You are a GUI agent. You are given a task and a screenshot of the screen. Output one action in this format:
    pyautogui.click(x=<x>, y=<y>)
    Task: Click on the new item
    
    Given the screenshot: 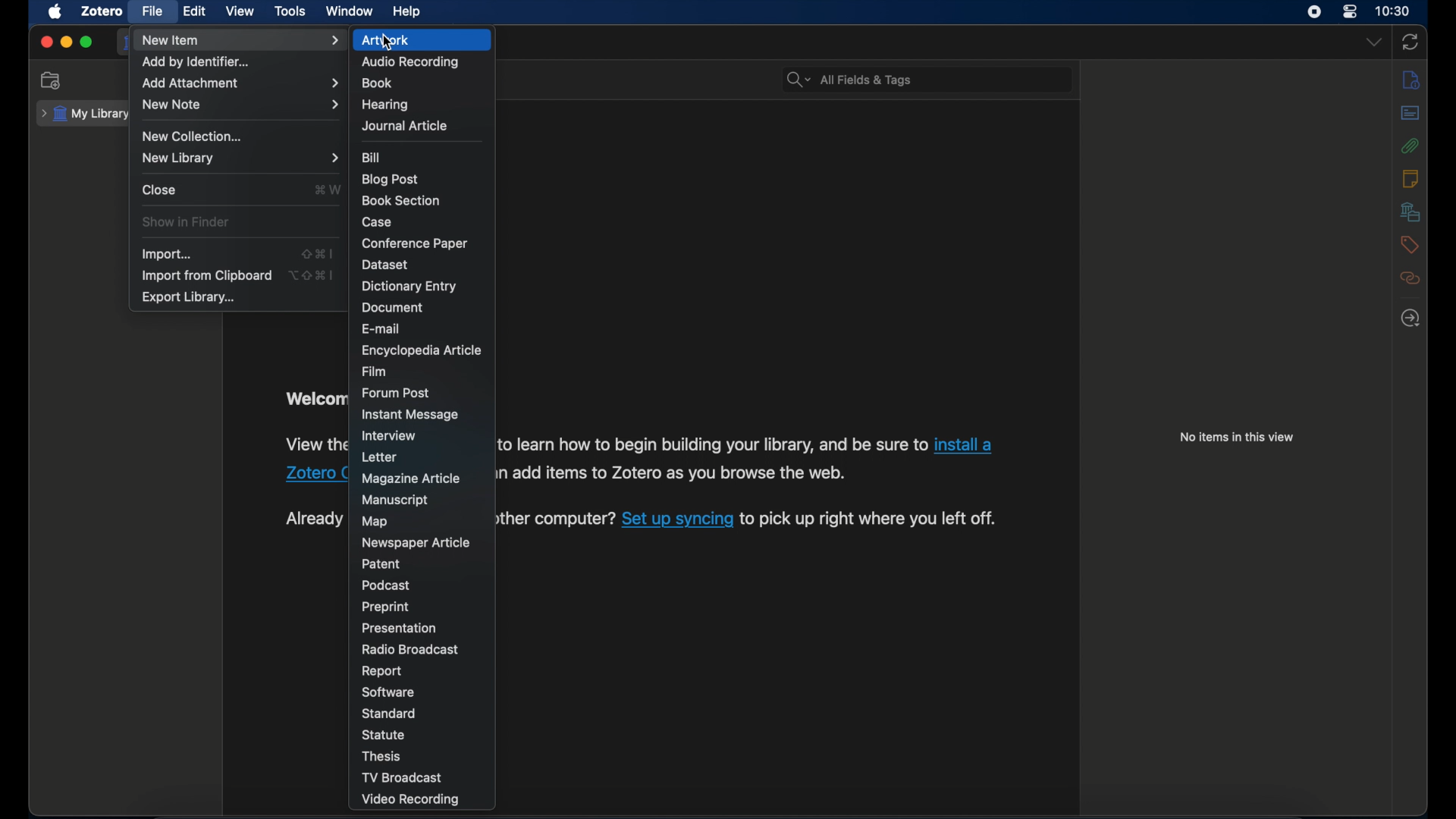 What is the action you would take?
    pyautogui.click(x=242, y=40)
    